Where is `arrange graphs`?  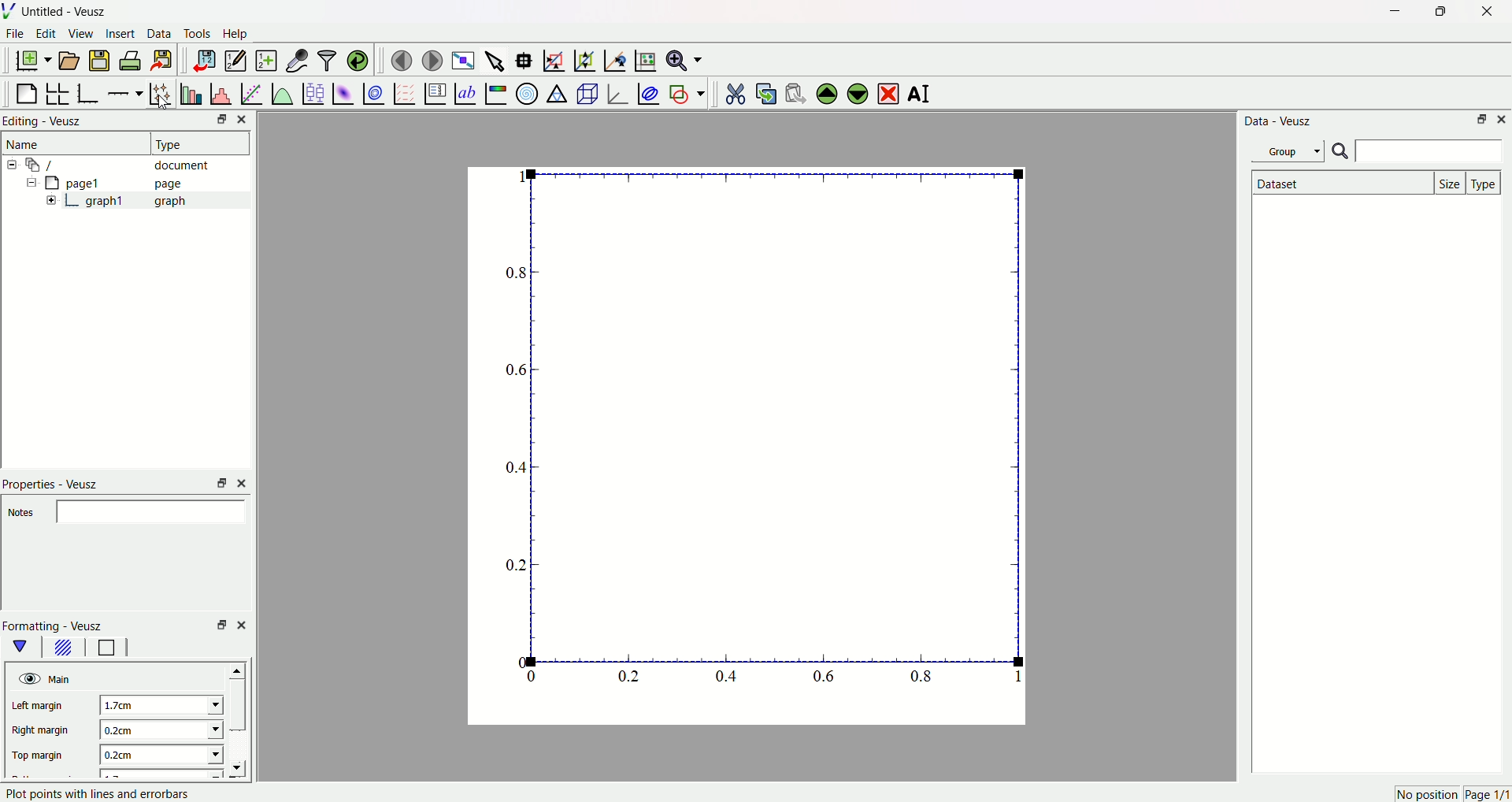 arrange graphs is located at coordinates (60, 91).